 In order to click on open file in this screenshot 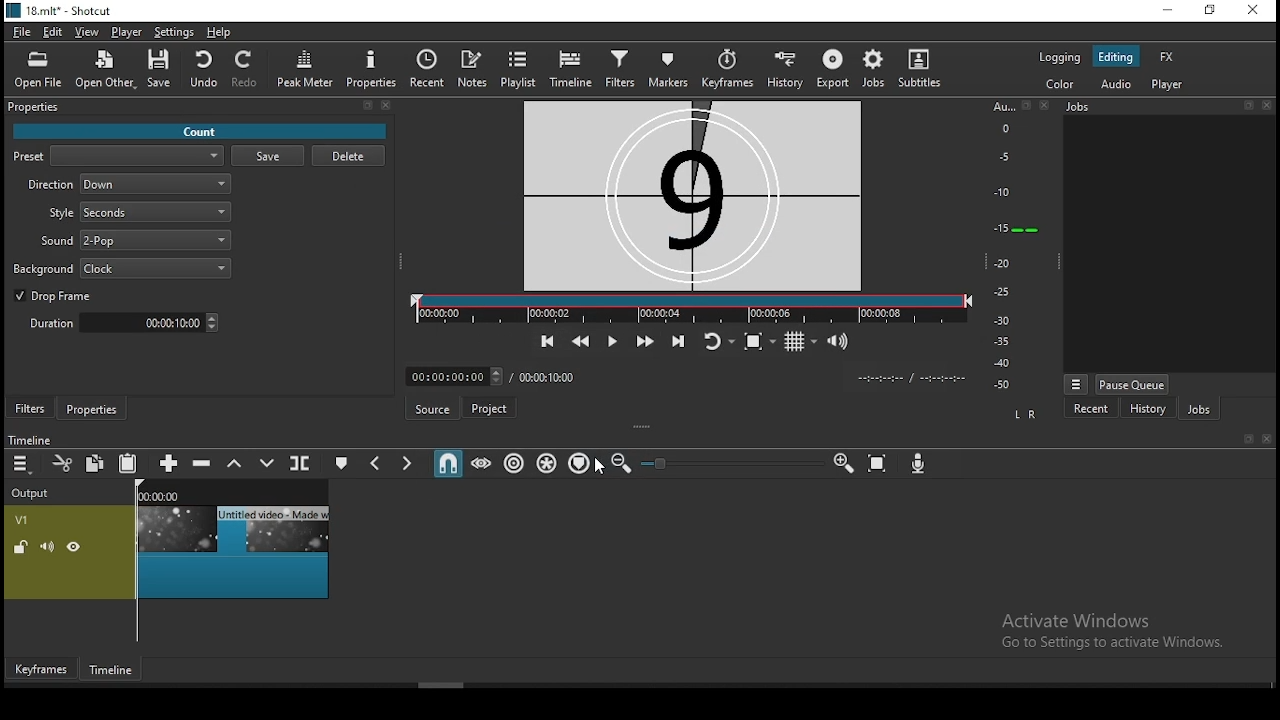, I will do `click(38, 68)`.